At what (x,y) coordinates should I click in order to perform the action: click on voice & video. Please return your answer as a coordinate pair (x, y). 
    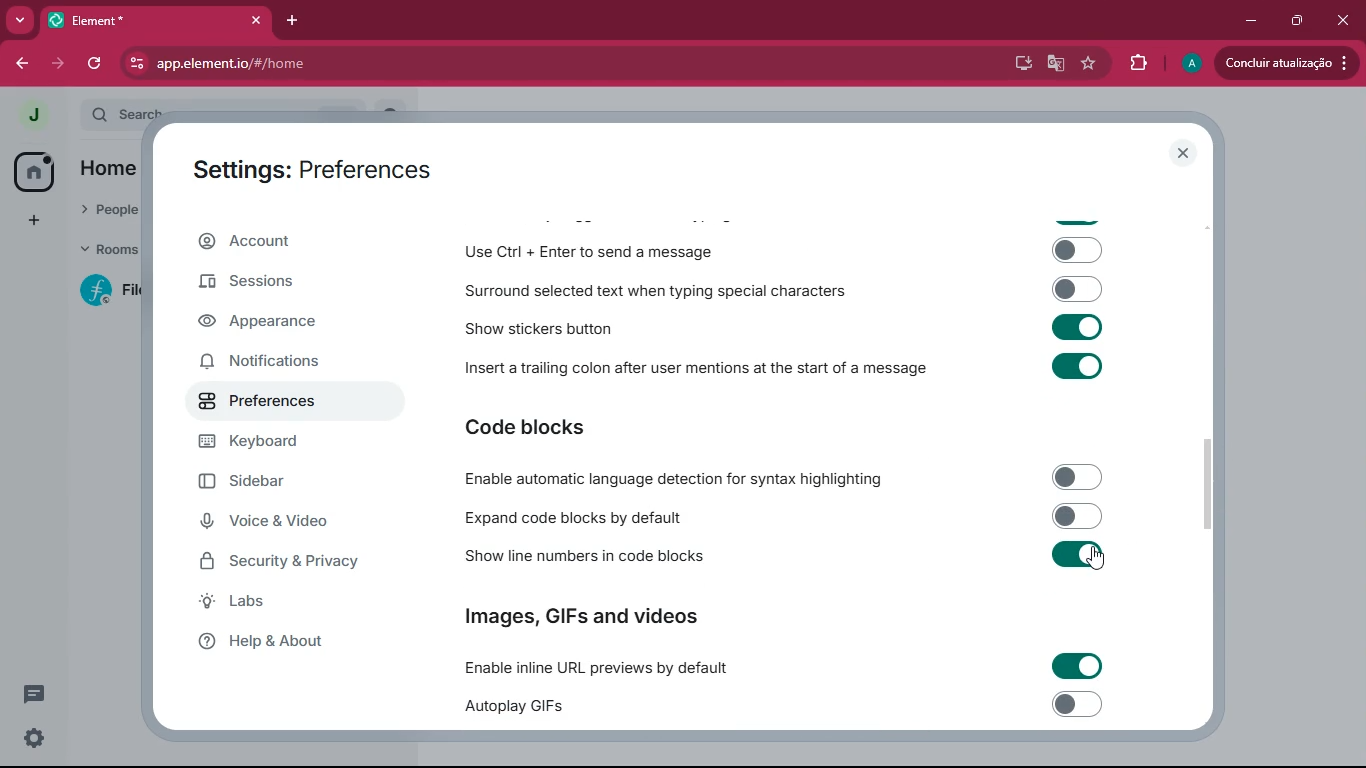
    Looking at the image, I should click on (281, 524).